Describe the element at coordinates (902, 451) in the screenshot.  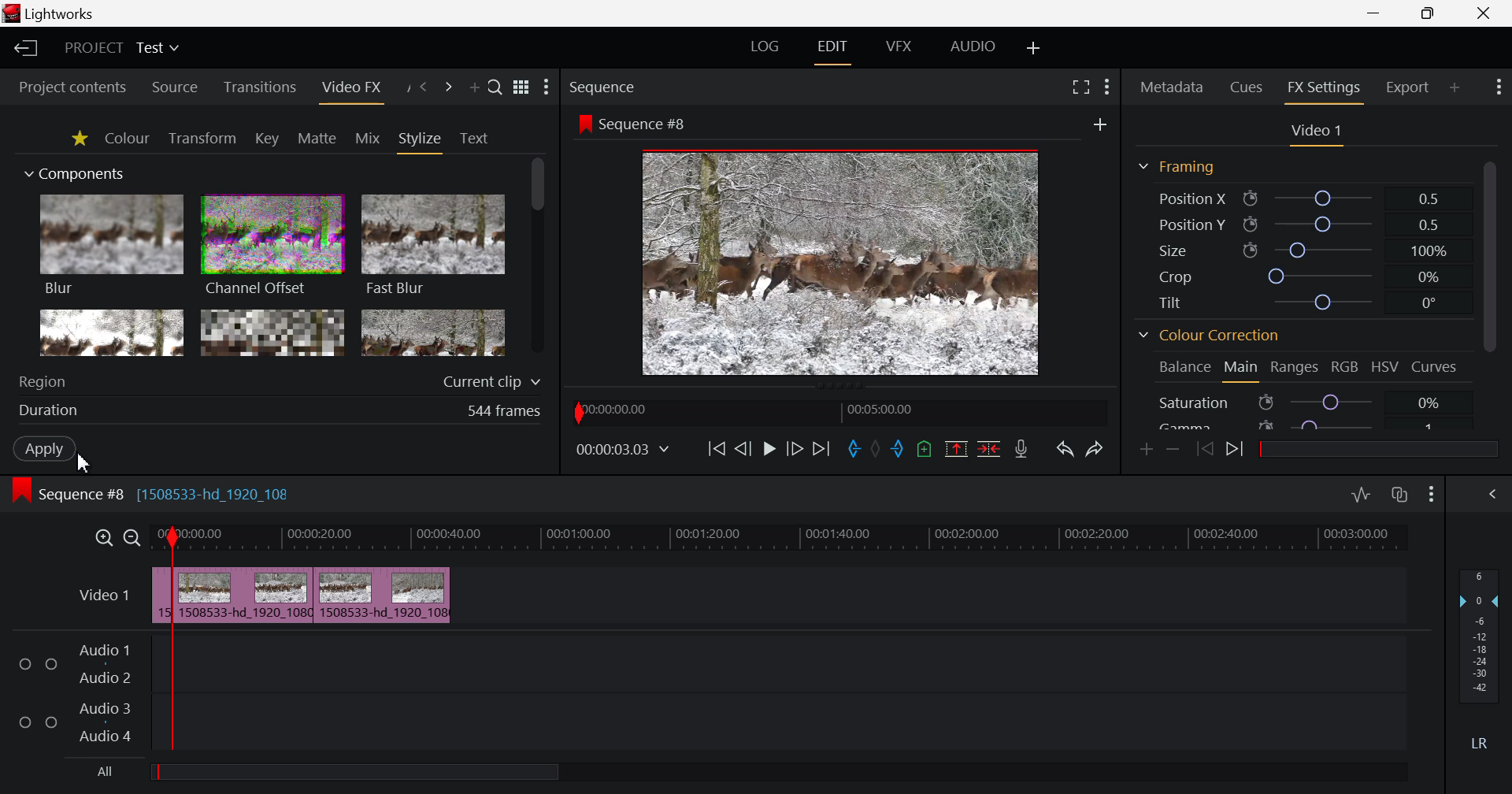
I see `Mark Out` at that location.